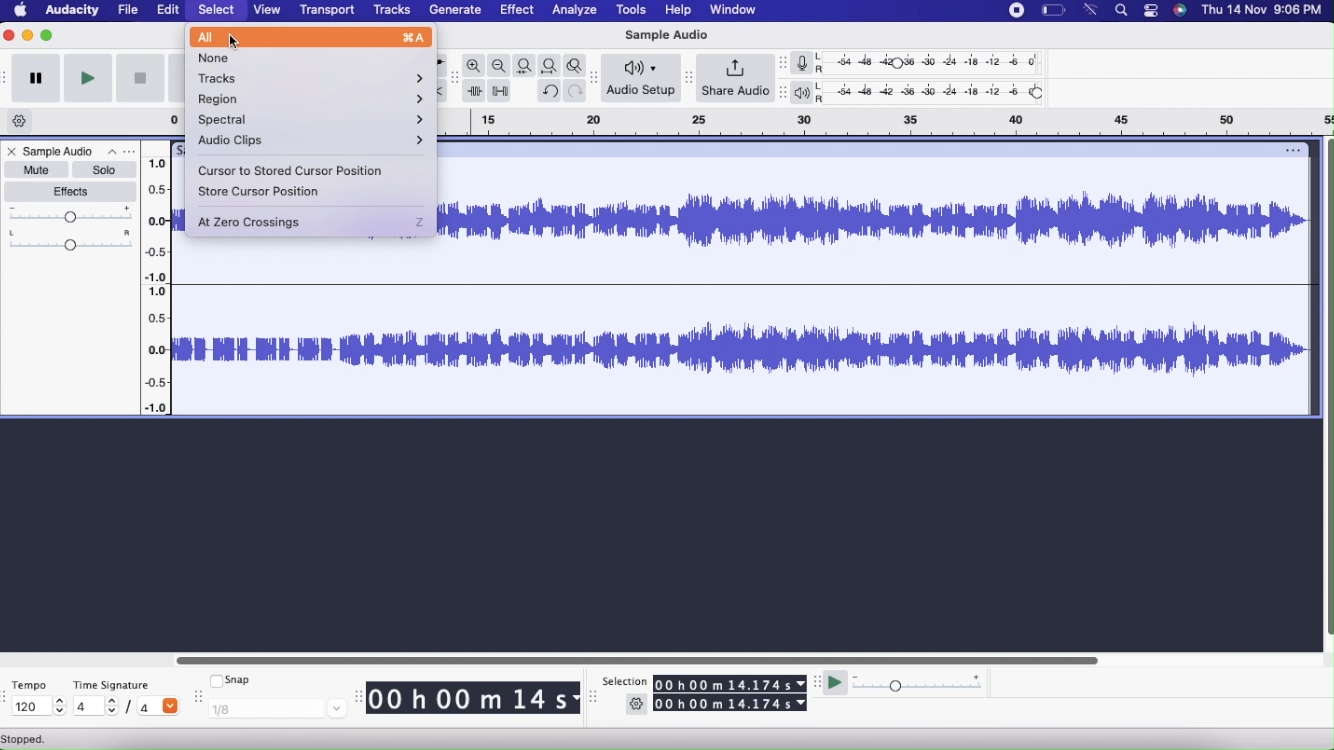 Image resolution: width=1334 pixels, height=750 pixels. What do you see at coordinates (391, 10) in the screenshot?
I see `Tracks` at bounding box center [391, 10].